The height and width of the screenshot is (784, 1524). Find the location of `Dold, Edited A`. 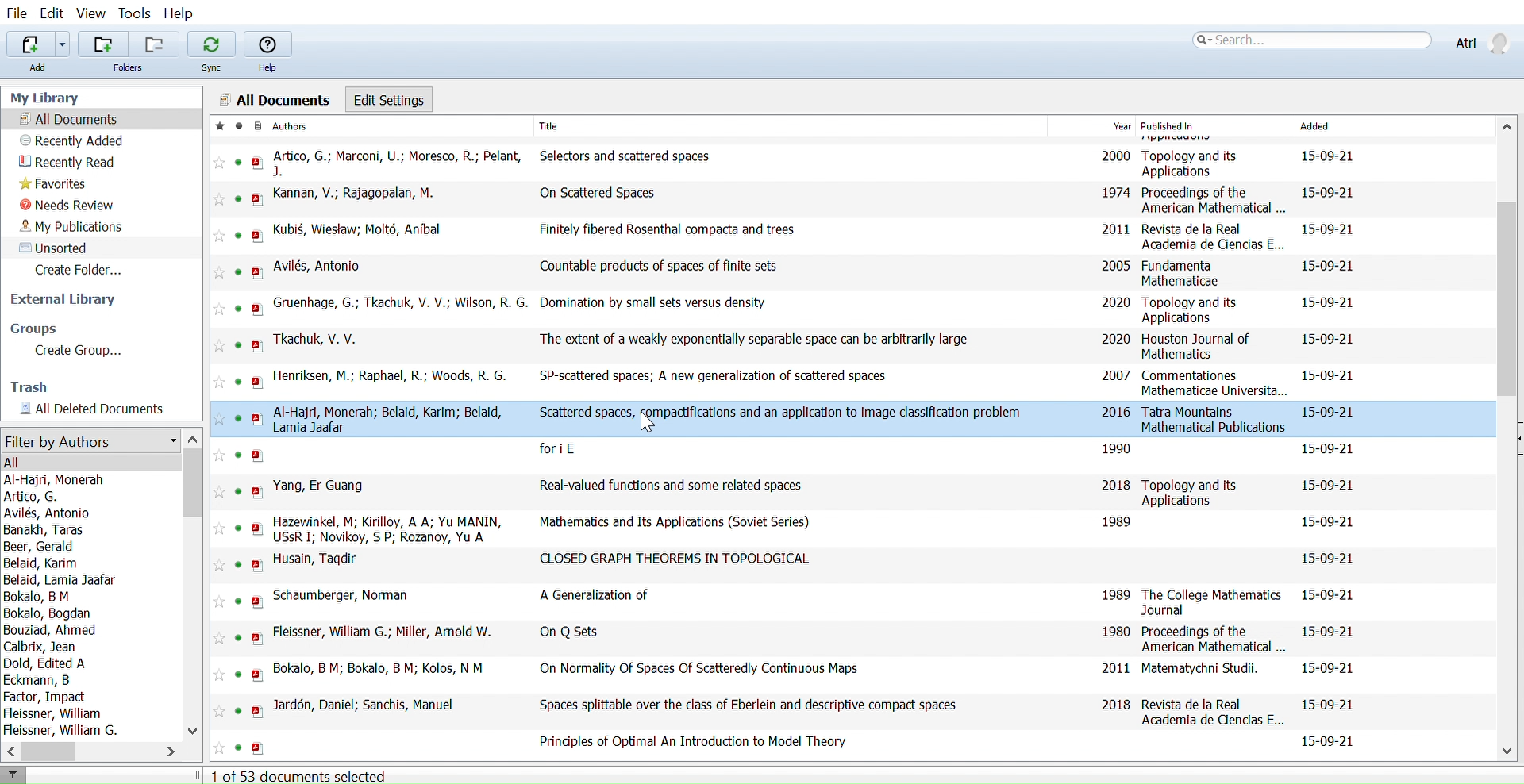

Dold, Edited A is located at coordinates (45, 663).